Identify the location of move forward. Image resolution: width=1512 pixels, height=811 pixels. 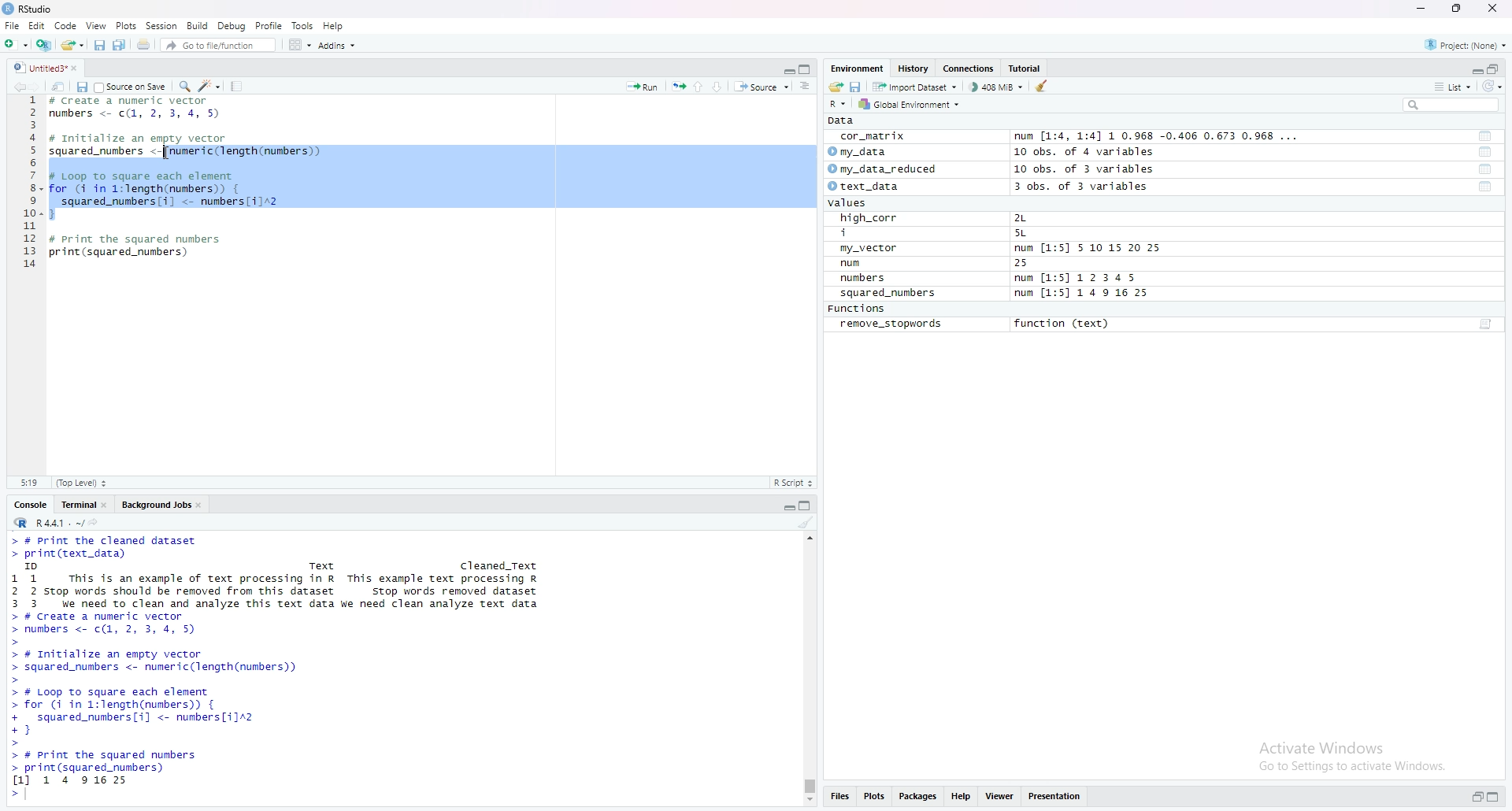
(39, 85).